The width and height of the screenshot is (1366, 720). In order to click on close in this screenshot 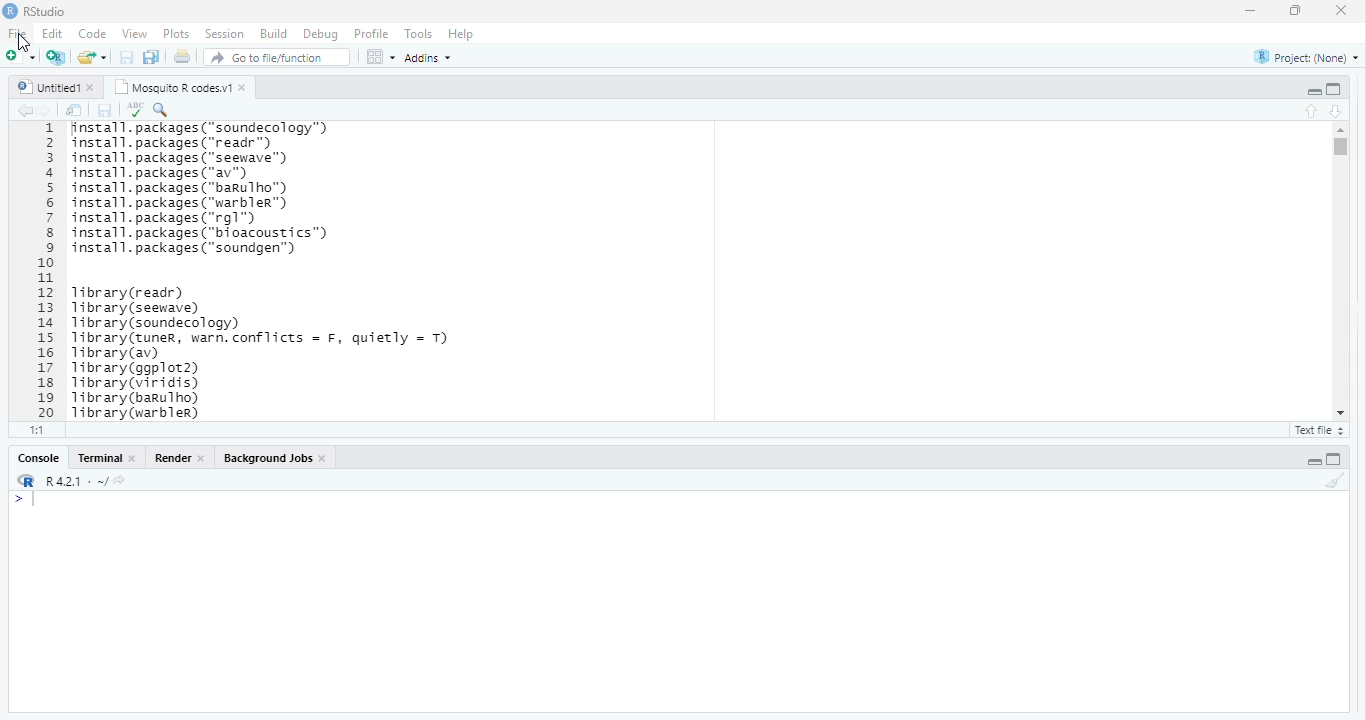, I will do `click(325, 459)`.